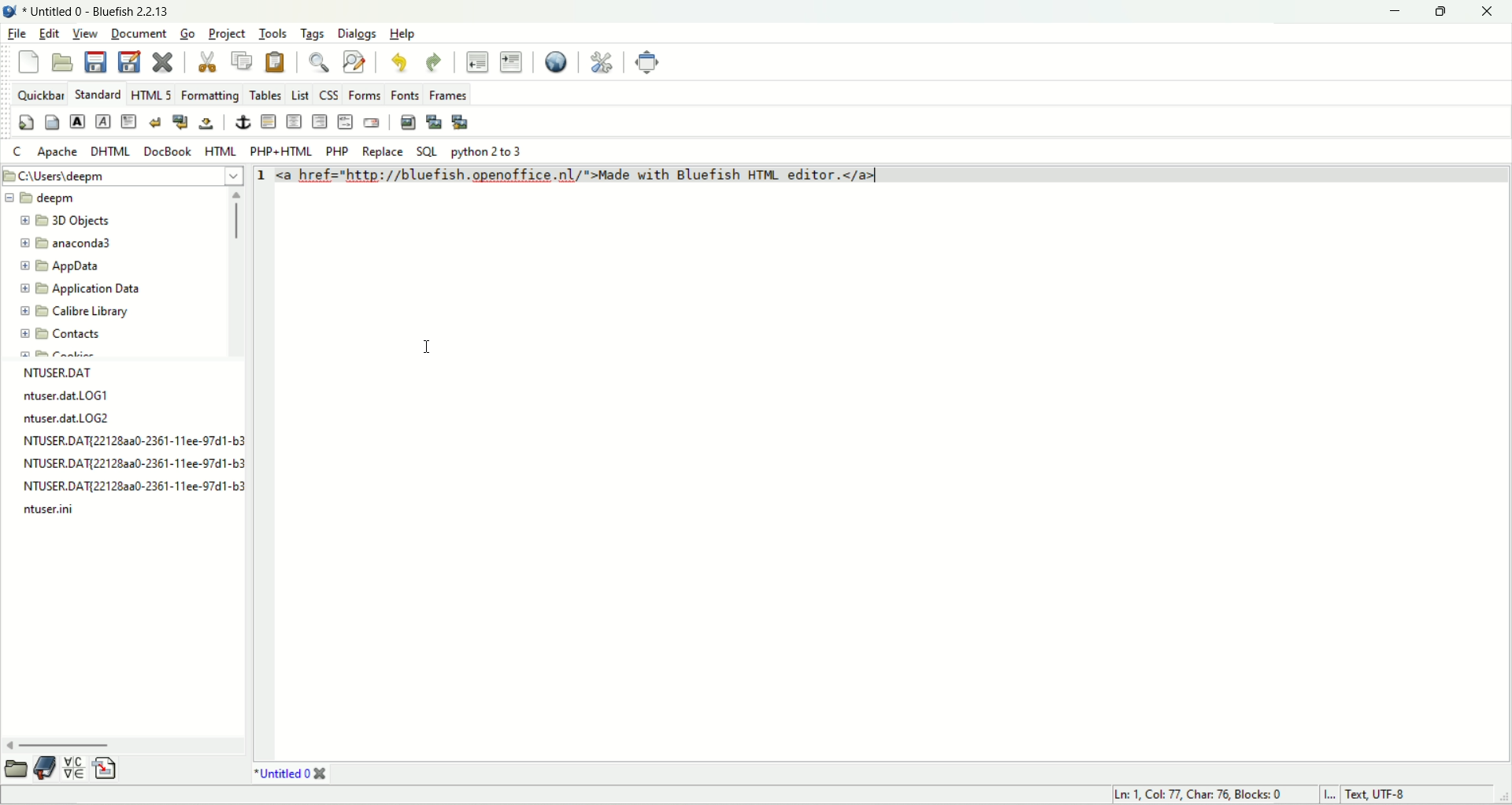 The width and height of the screenshot is (1512, 805). Describe the element at coordinates (30, 61) in the screenshot. I see `new` at that location.